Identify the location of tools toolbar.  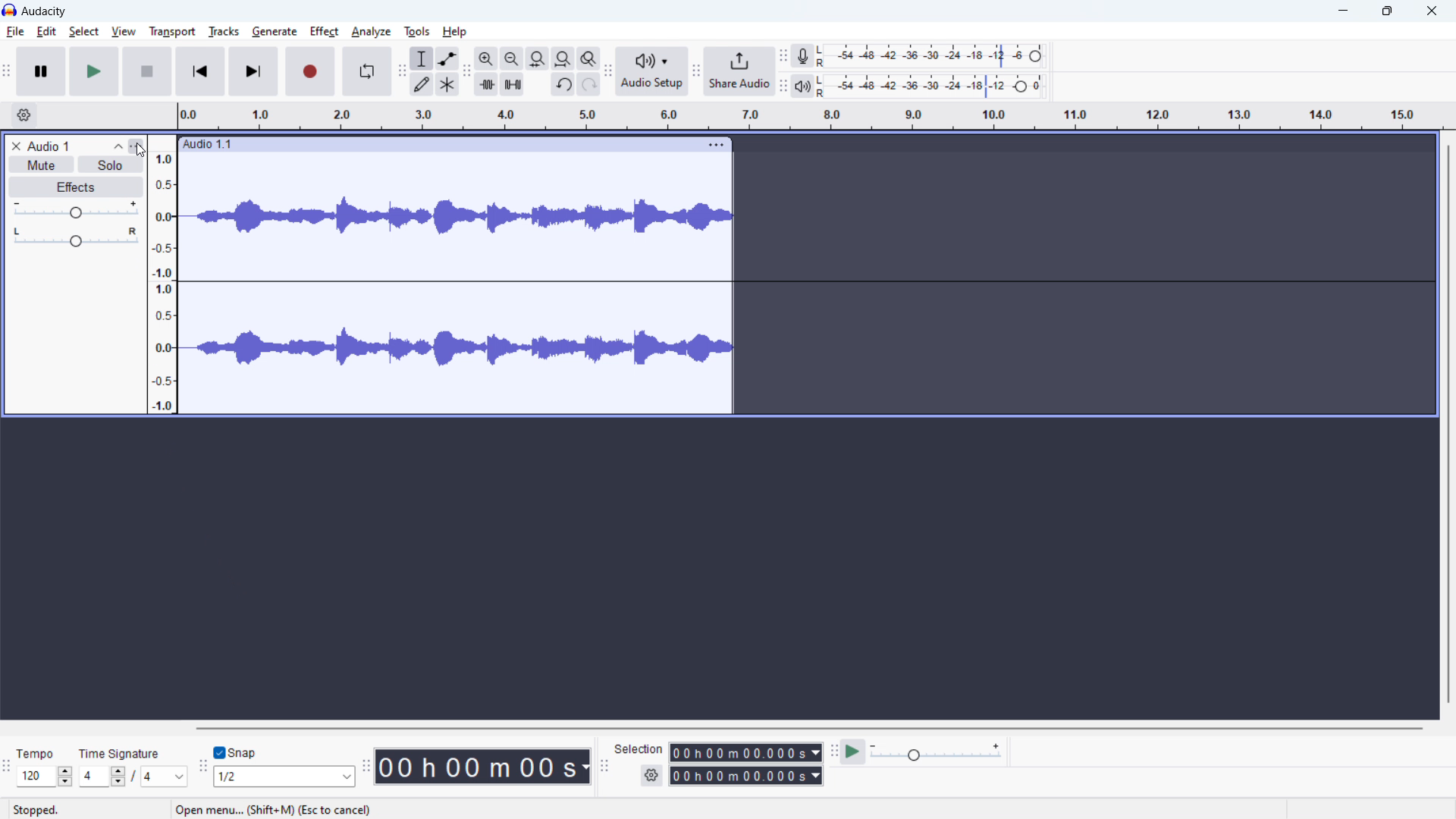
(400, 71).